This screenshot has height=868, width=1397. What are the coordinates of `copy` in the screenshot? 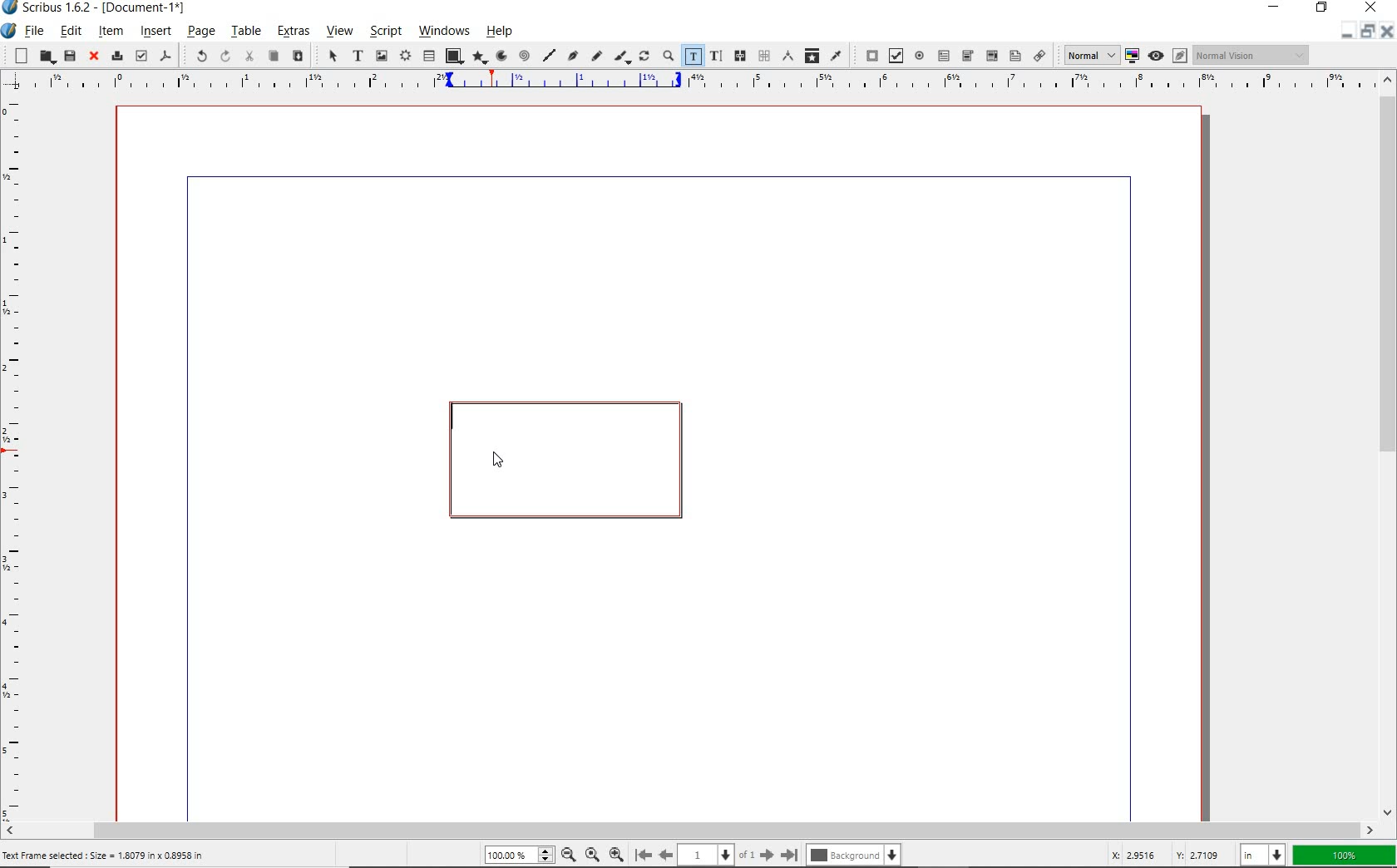 It's located at (274, 57).